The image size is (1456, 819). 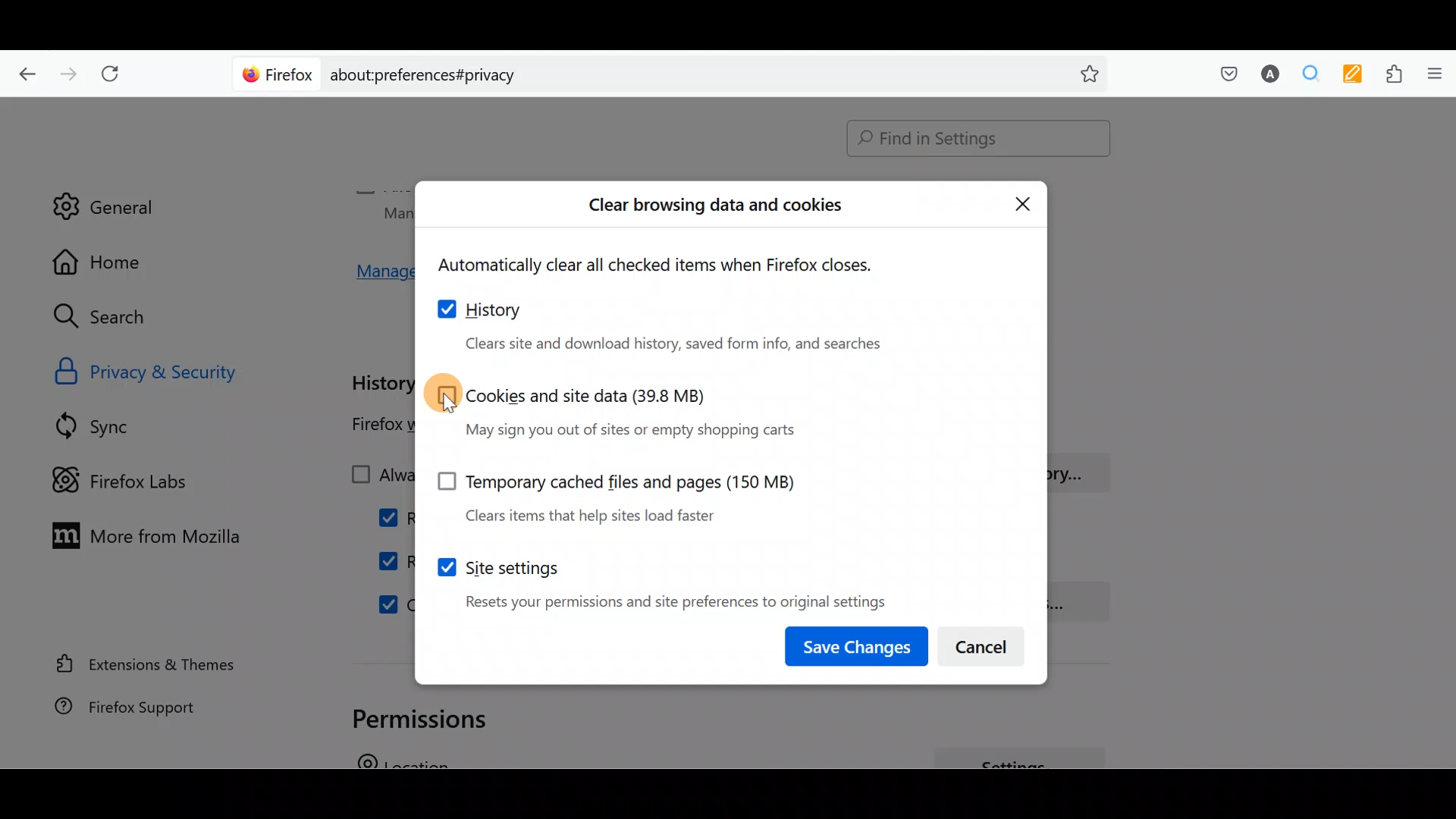 What do you see at coordinates (1305, 75) in the screenshot?
I see `Multiple search & highlight` at bounding box center [1305, 75].